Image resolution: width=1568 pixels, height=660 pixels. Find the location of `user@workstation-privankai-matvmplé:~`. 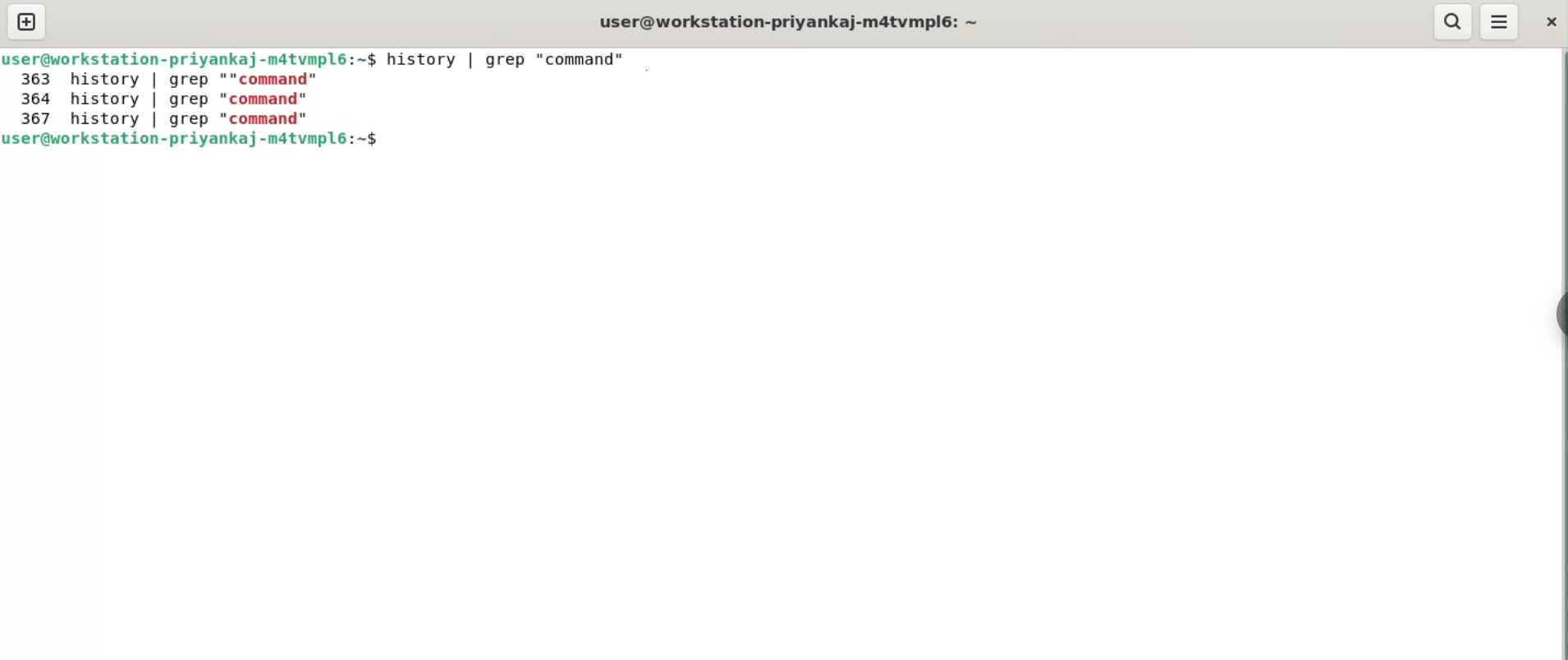

user@workstation-privankai-matvmplé:~ is located at coordinates (178, 57).